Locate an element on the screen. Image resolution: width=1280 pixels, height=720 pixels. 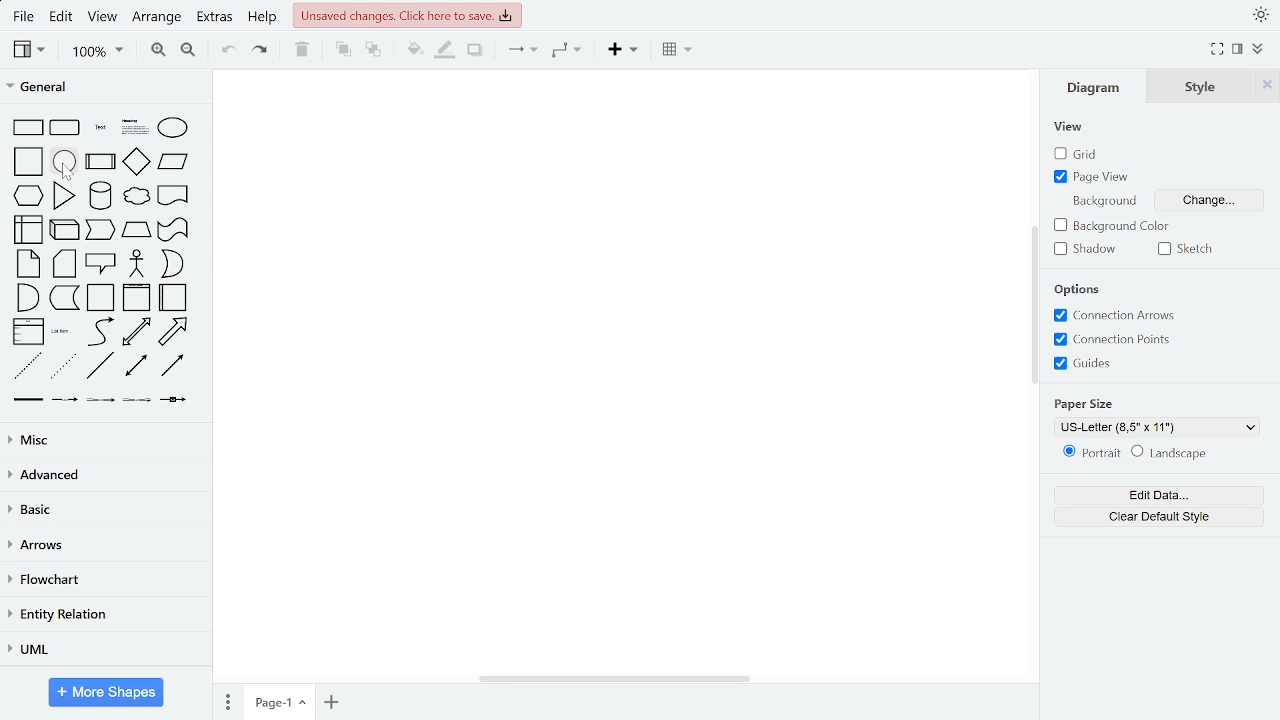
document is located at coordinates (172, 197).